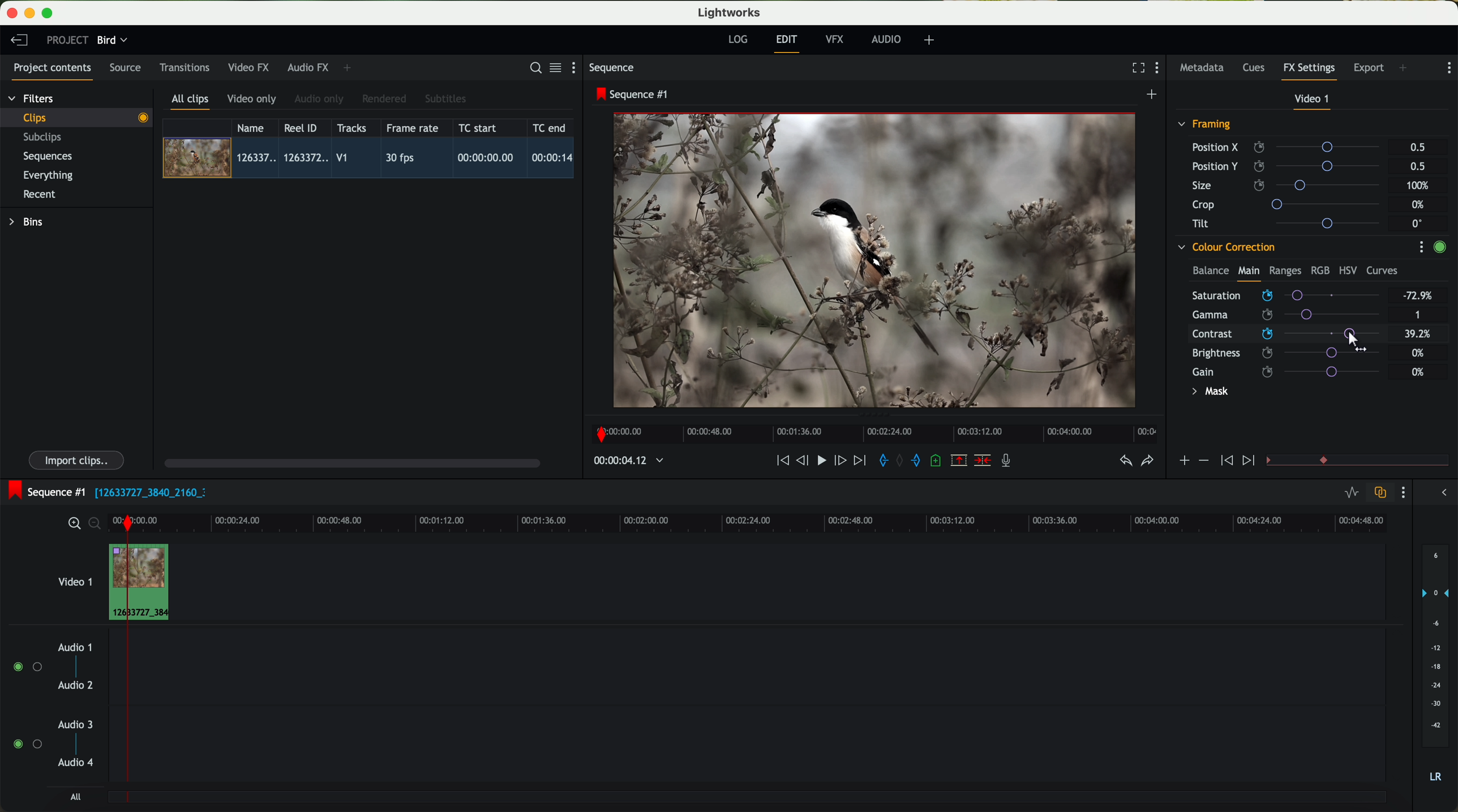 The width and height of the screenshot is (1458, 812). Describe the element at coordinates (76, 763) in the screenshot. I see `audio 4` at that location.